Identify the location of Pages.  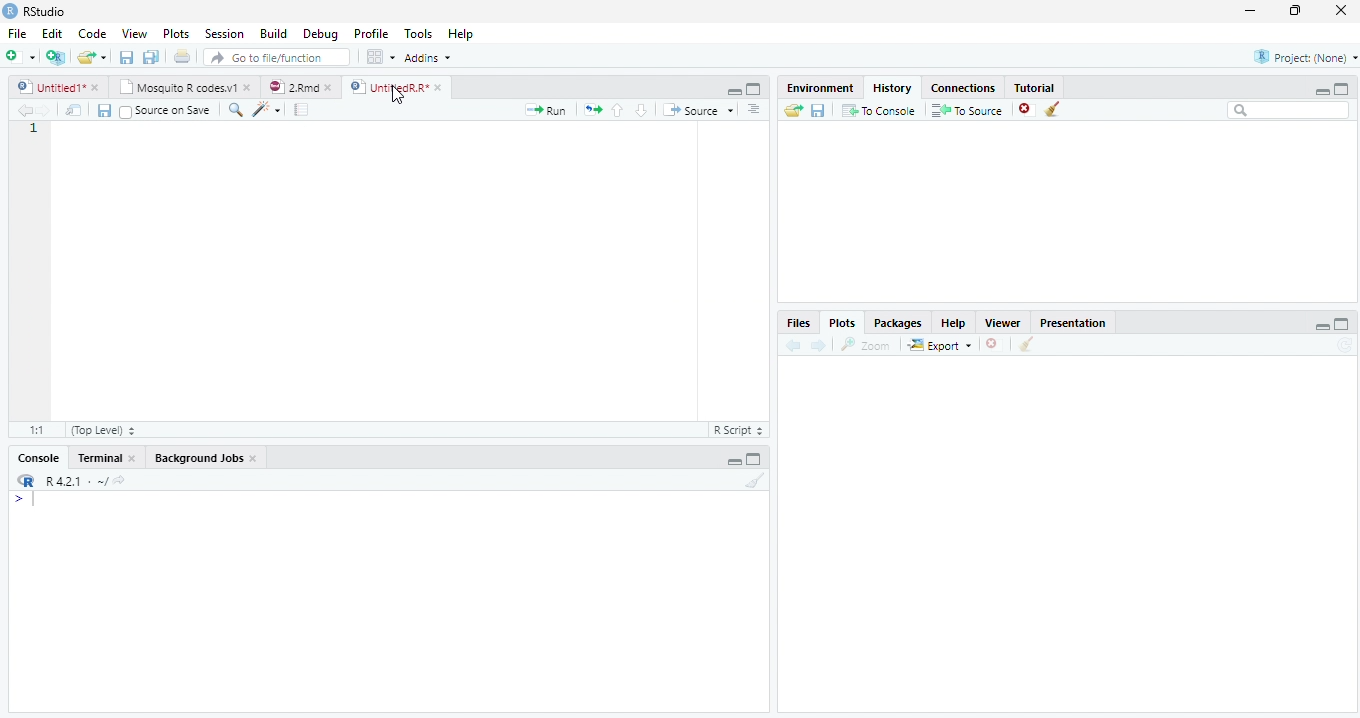
(593, 110).